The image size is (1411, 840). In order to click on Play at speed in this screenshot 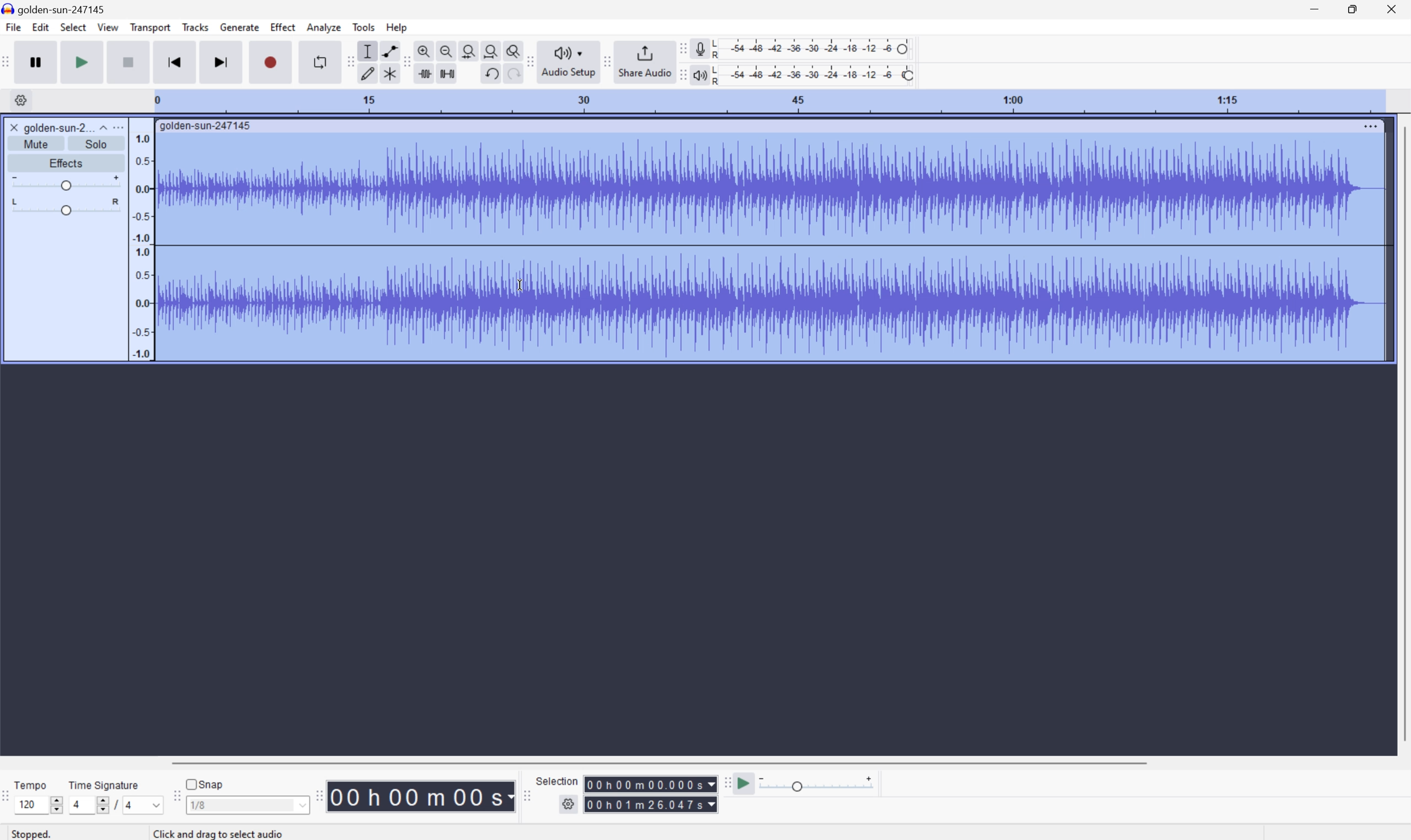, I will do `click(745, 784)`.